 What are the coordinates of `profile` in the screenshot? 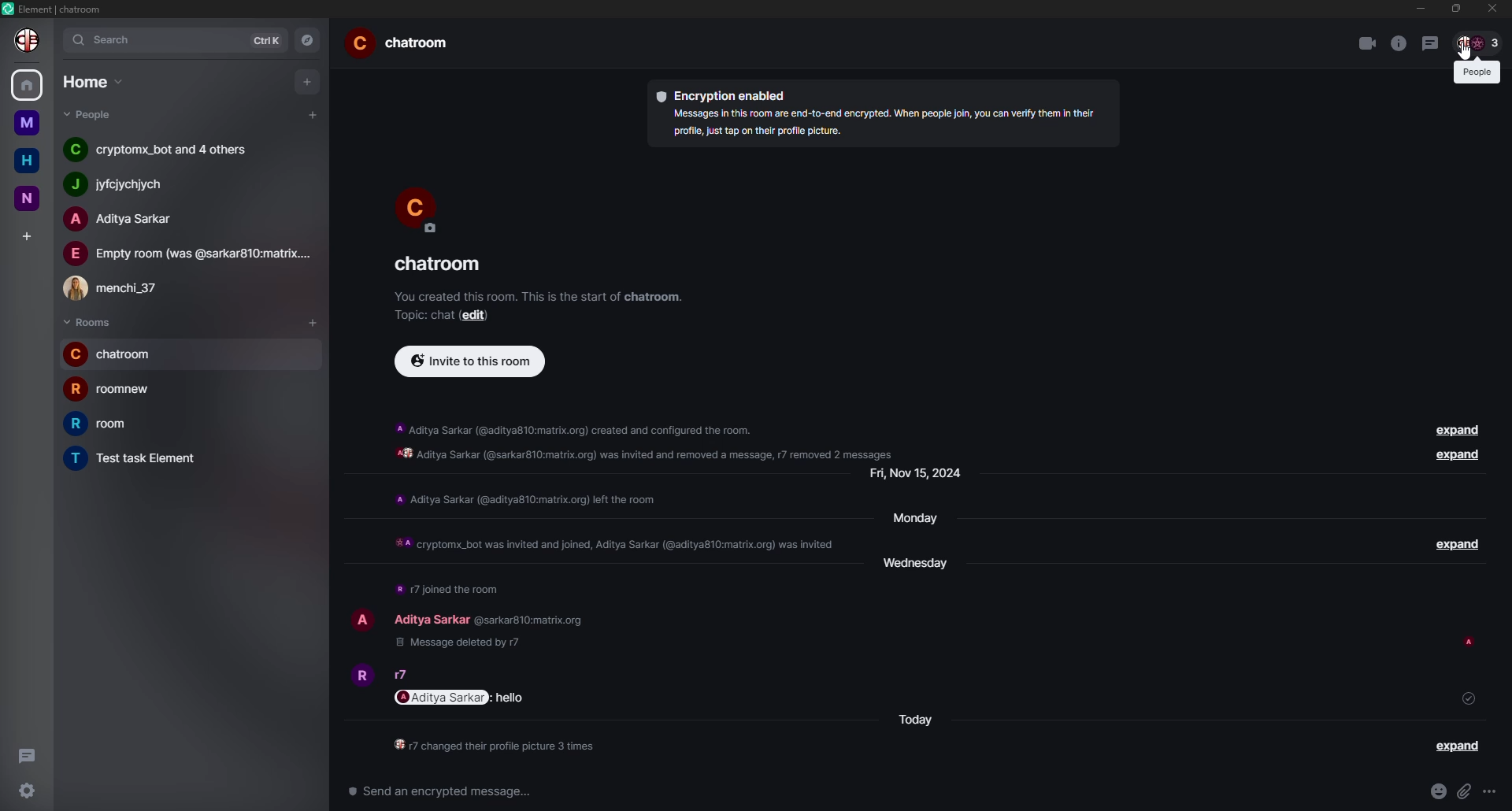 It's located at (359, 673).